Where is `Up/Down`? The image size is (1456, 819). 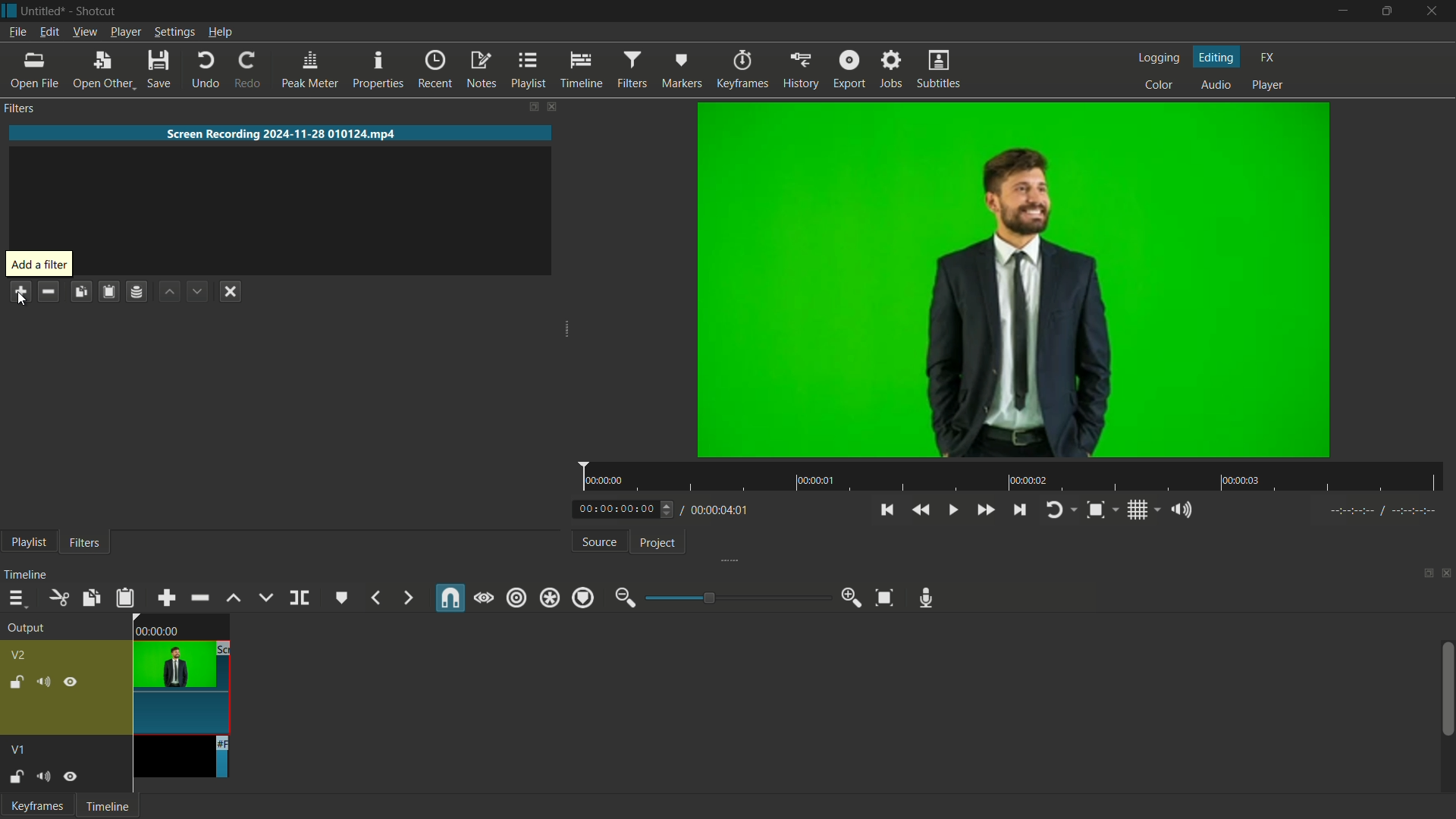
Up/Down is located at coordinates (670, 510).